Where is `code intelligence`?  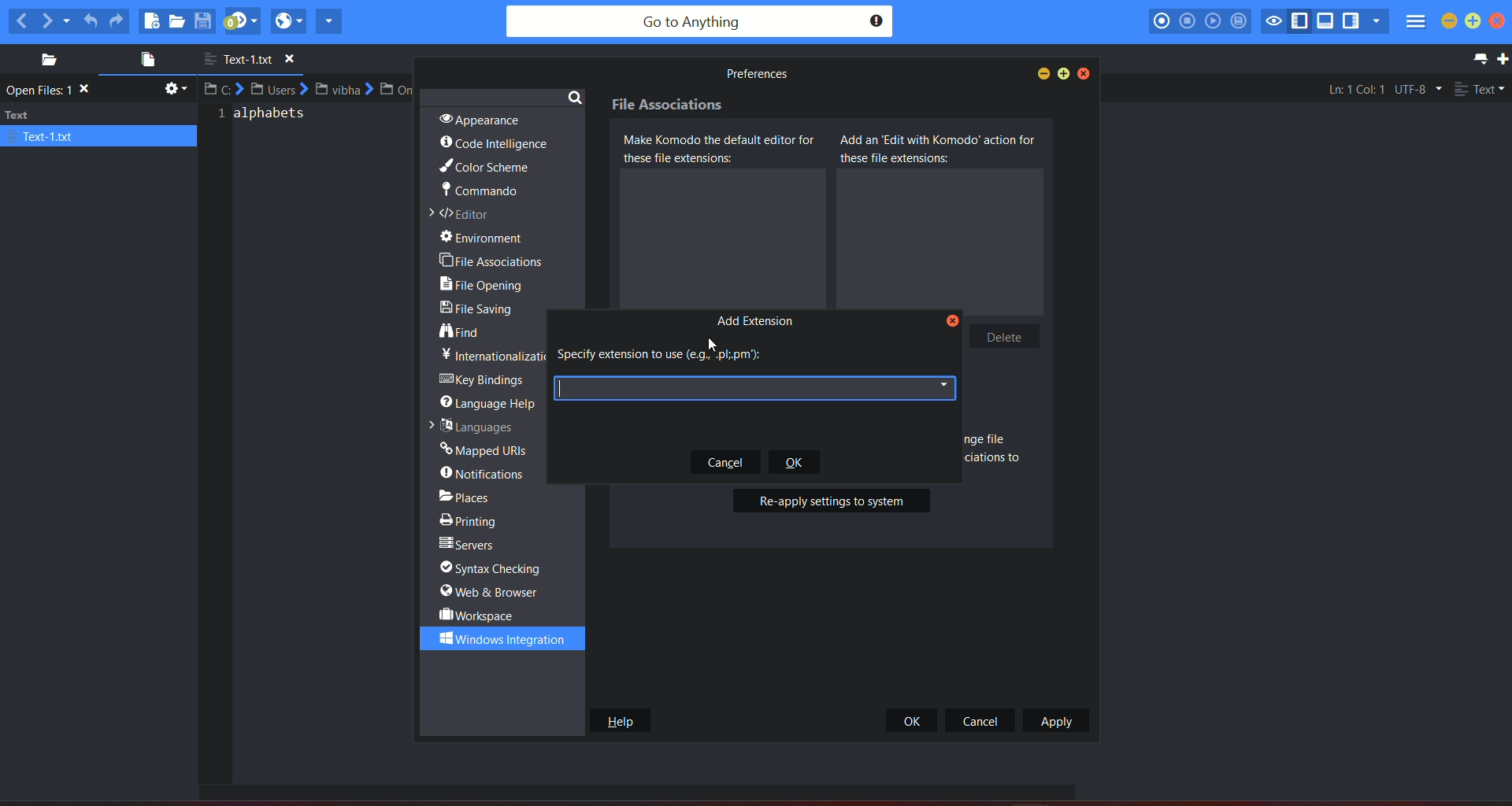 code intelligence is located at coordinates (495, 144).